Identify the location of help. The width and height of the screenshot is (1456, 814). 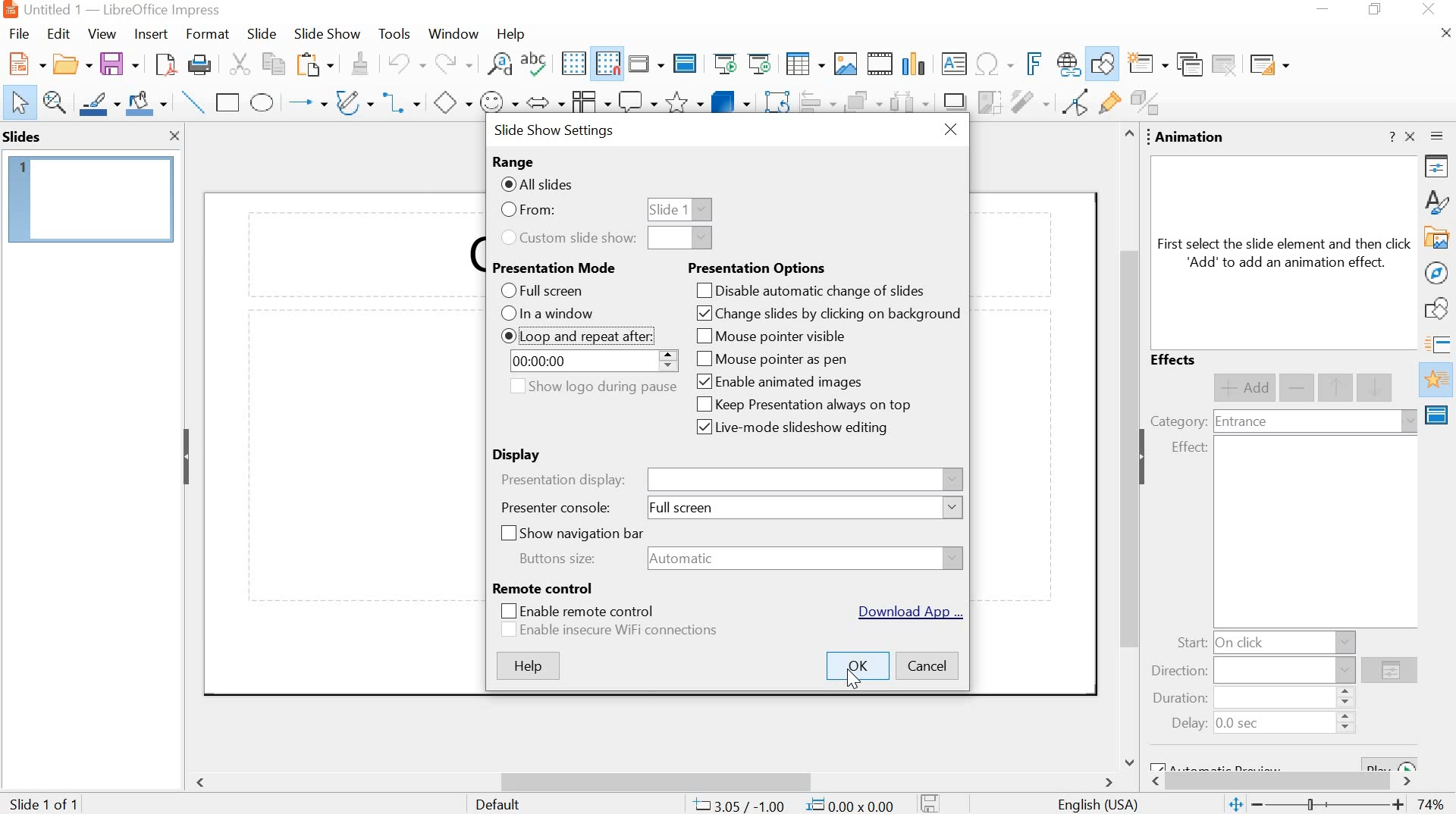
(527, 667).